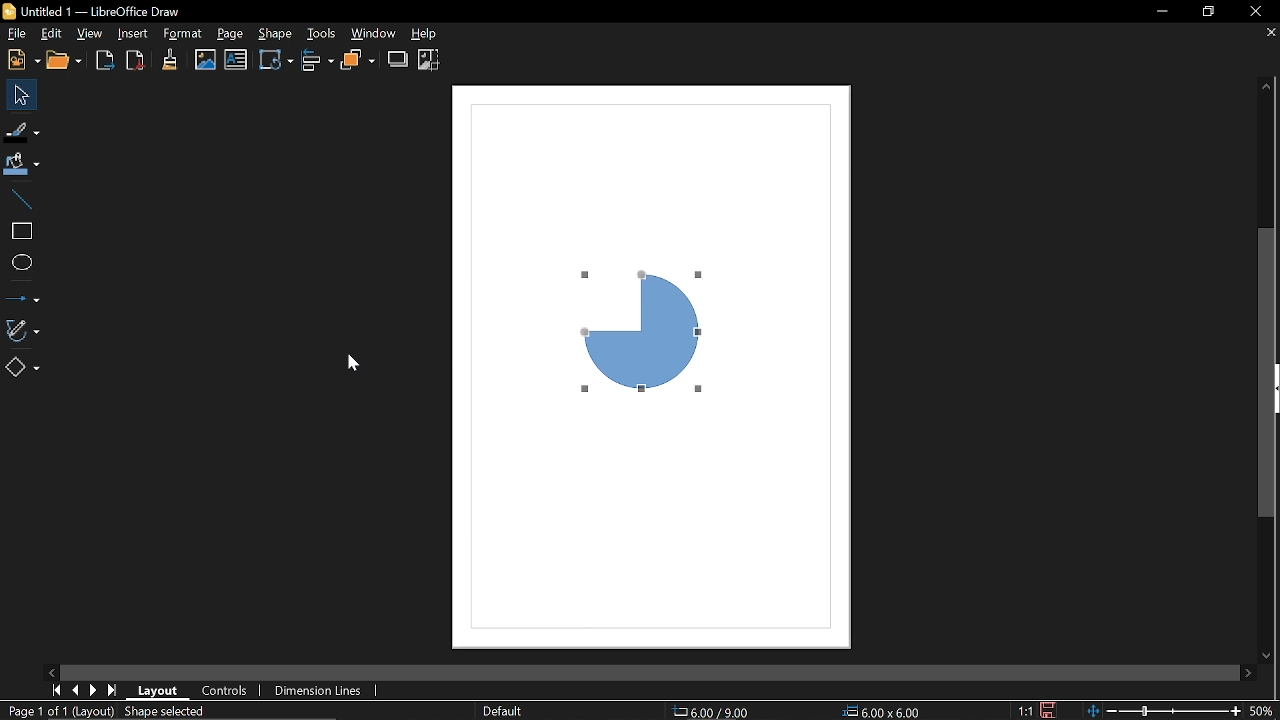  Describe the element at coordinates (1208, 13) in the screenshot. I see `Restore down` at that location.